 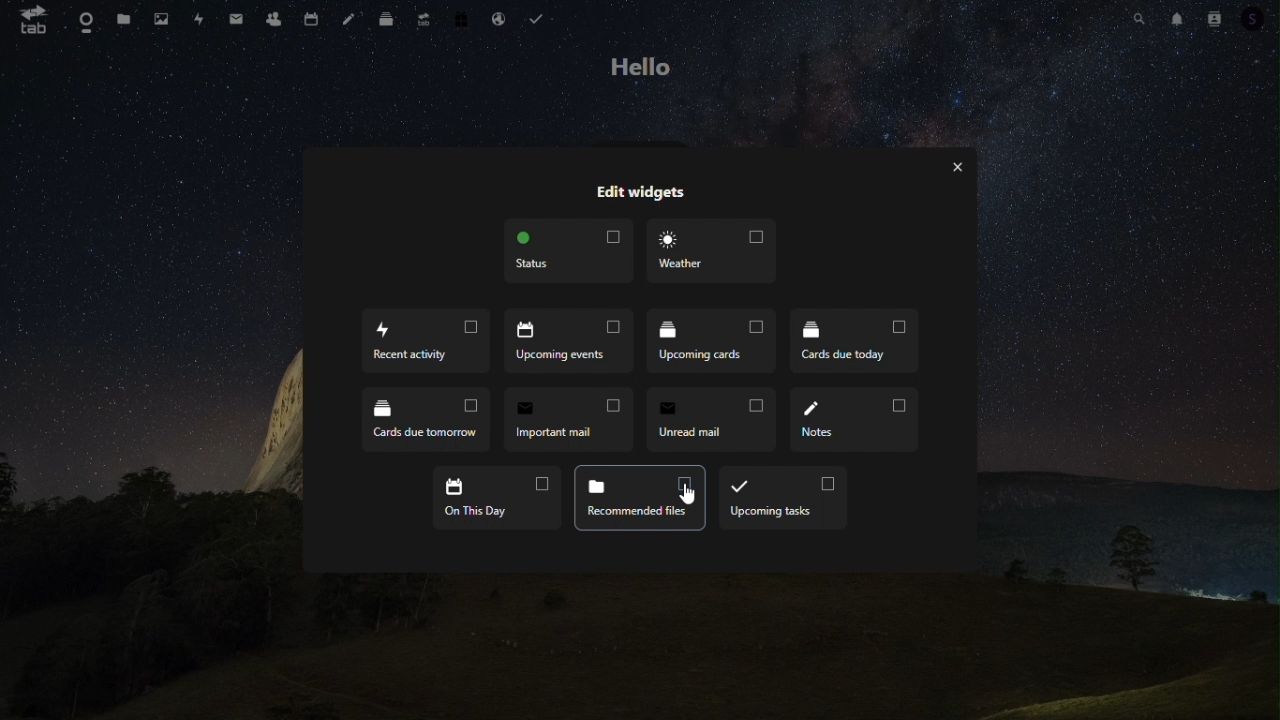 I want to click on contacts, so click(x=274, y=18).